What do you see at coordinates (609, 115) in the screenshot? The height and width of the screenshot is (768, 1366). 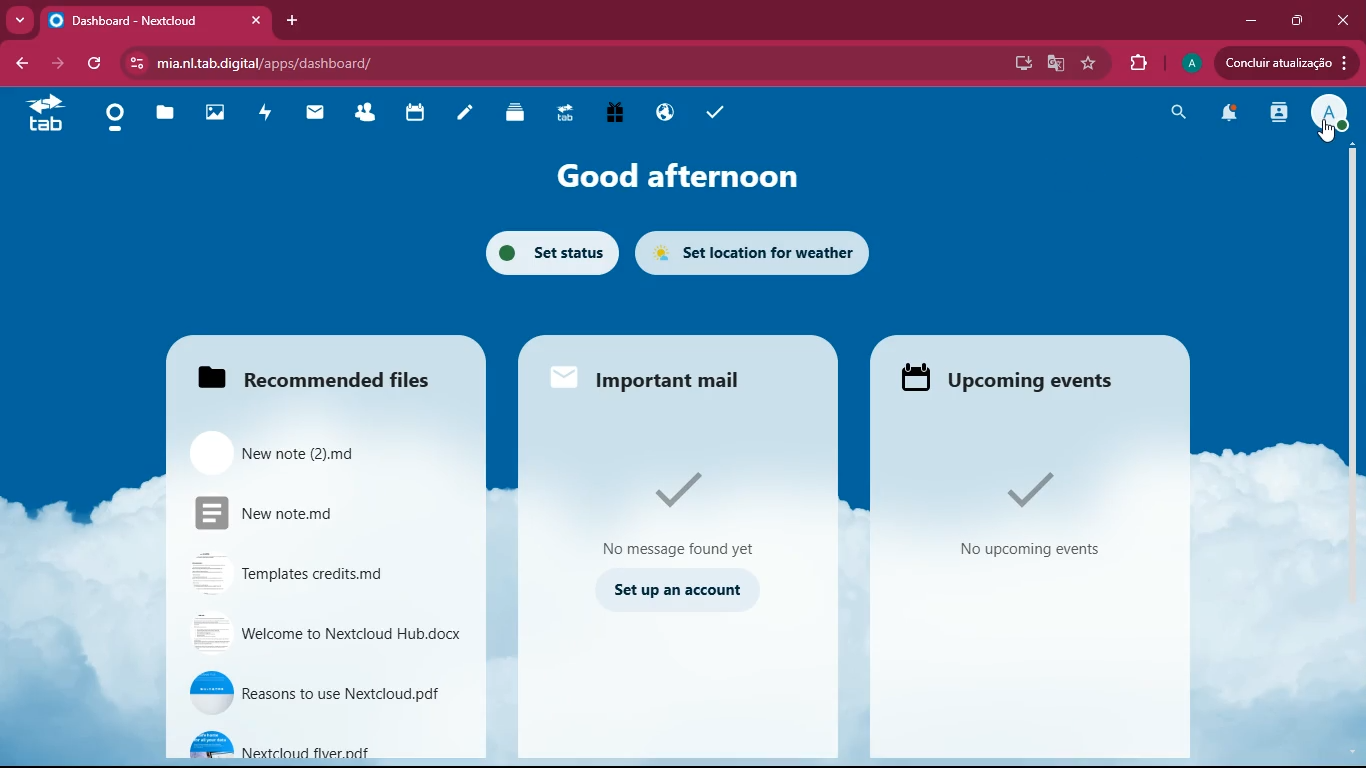 I see `gift` at bounding box center [609, 115].